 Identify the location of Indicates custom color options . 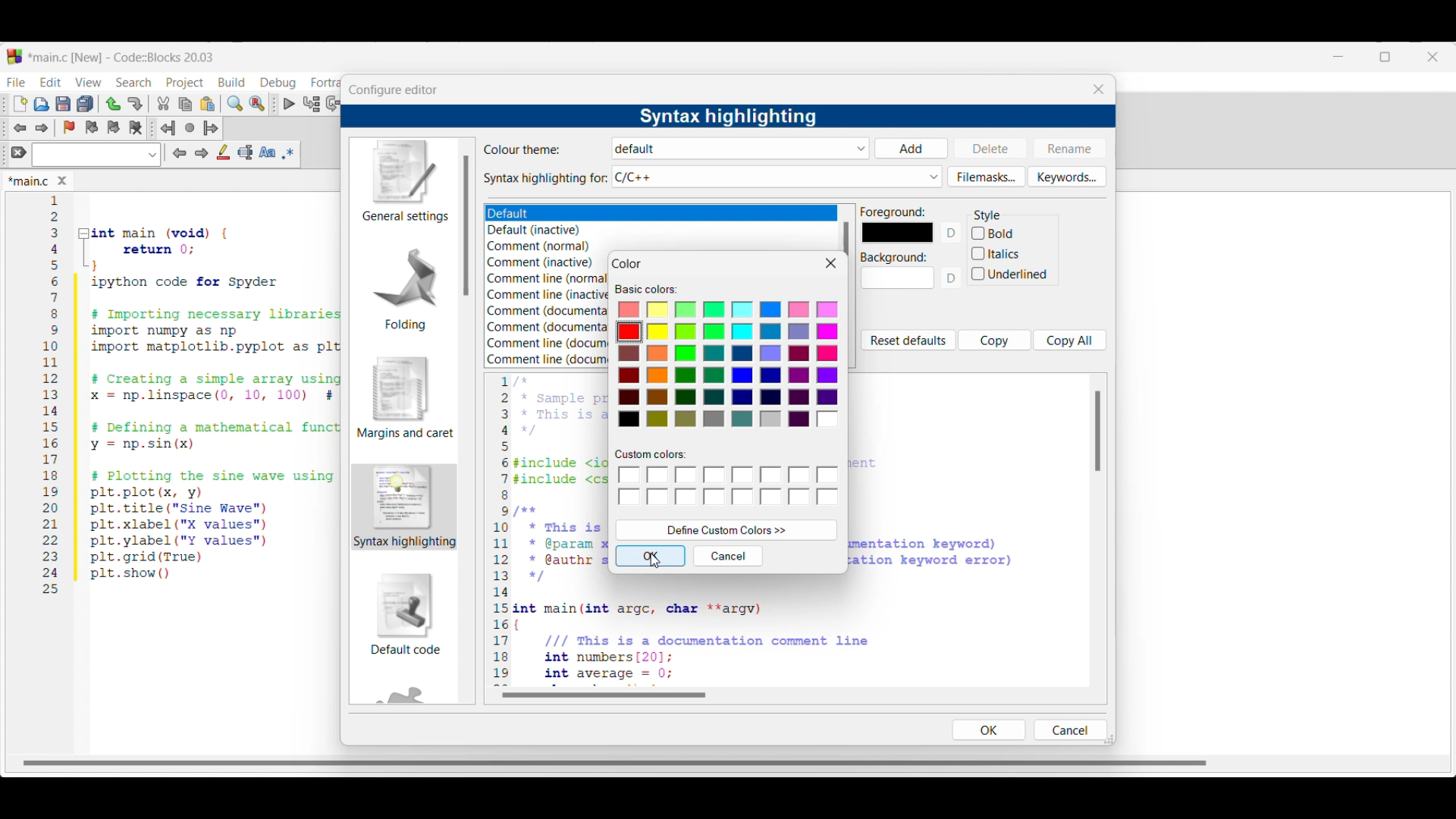
(651, 454).